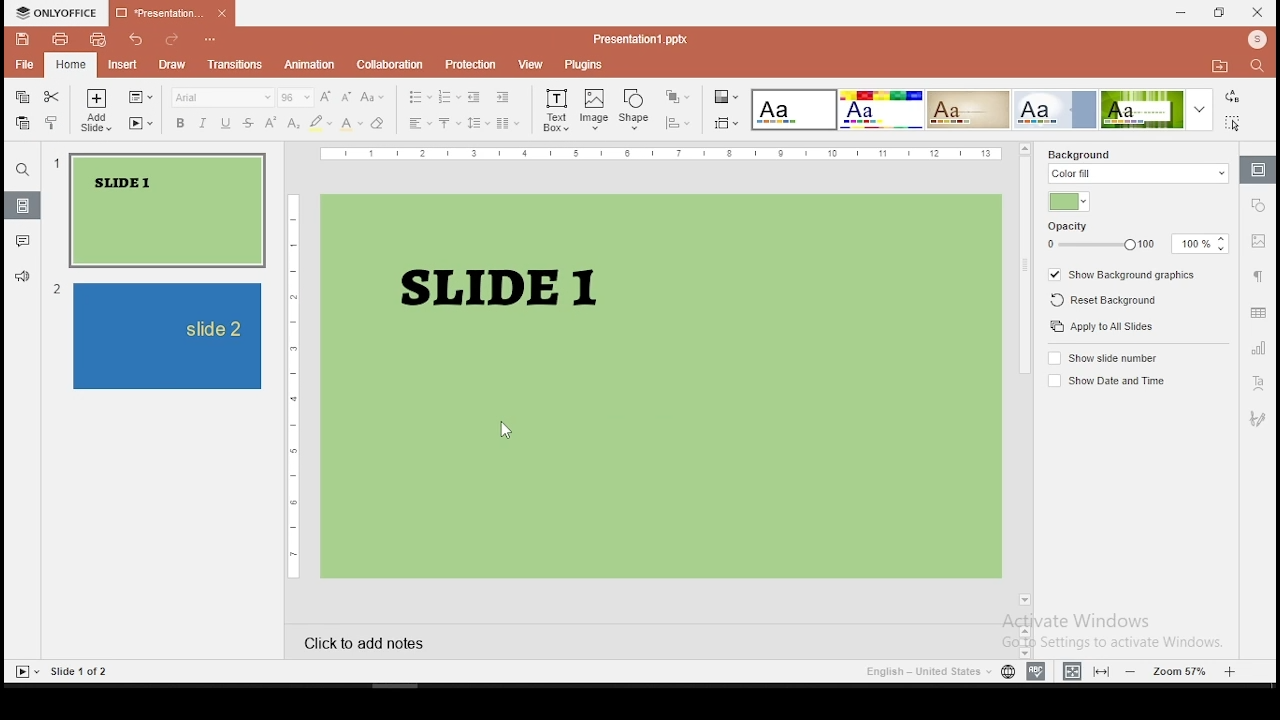 Image resolution: width=1280 pixels, height=720 pixels. Describe the element at coordinates (68, 67) in the screenshot. I see `home` at that location.